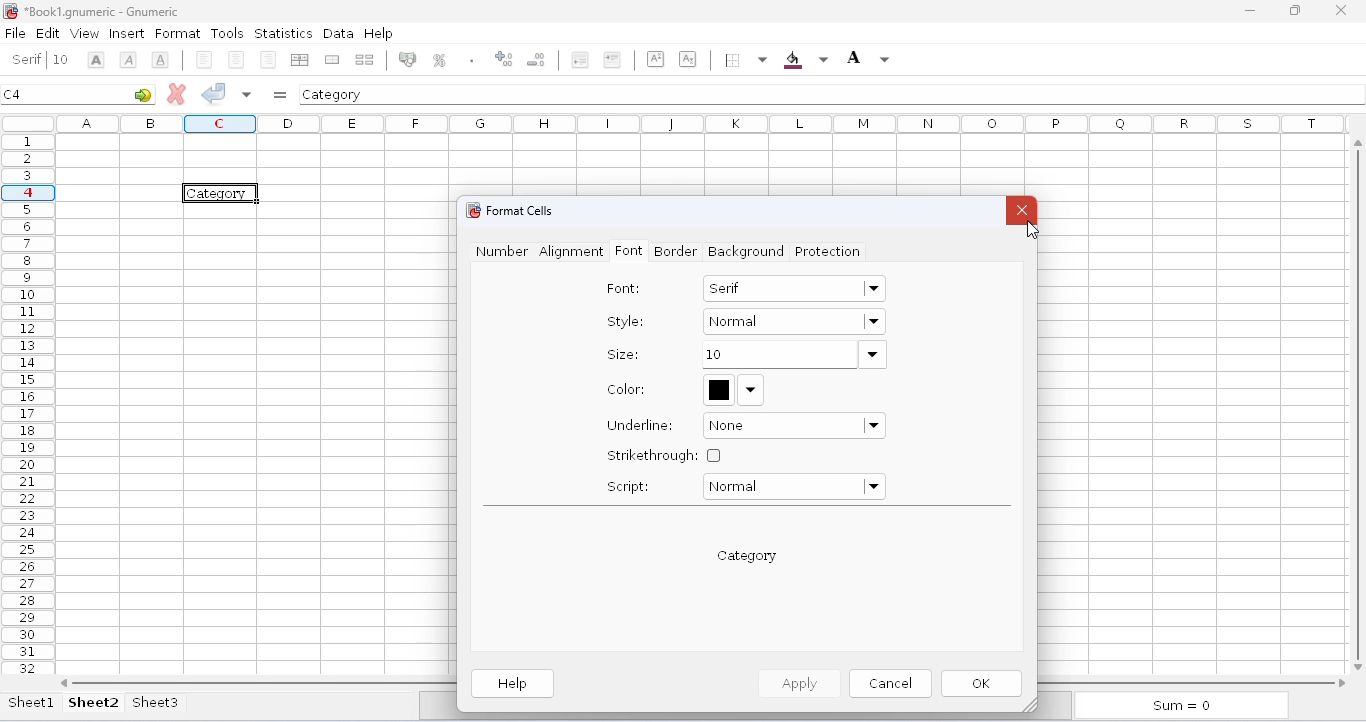 Image resolution: width=1366 pixels, height=722 pixels. I want to click on file, so click(15, 33).